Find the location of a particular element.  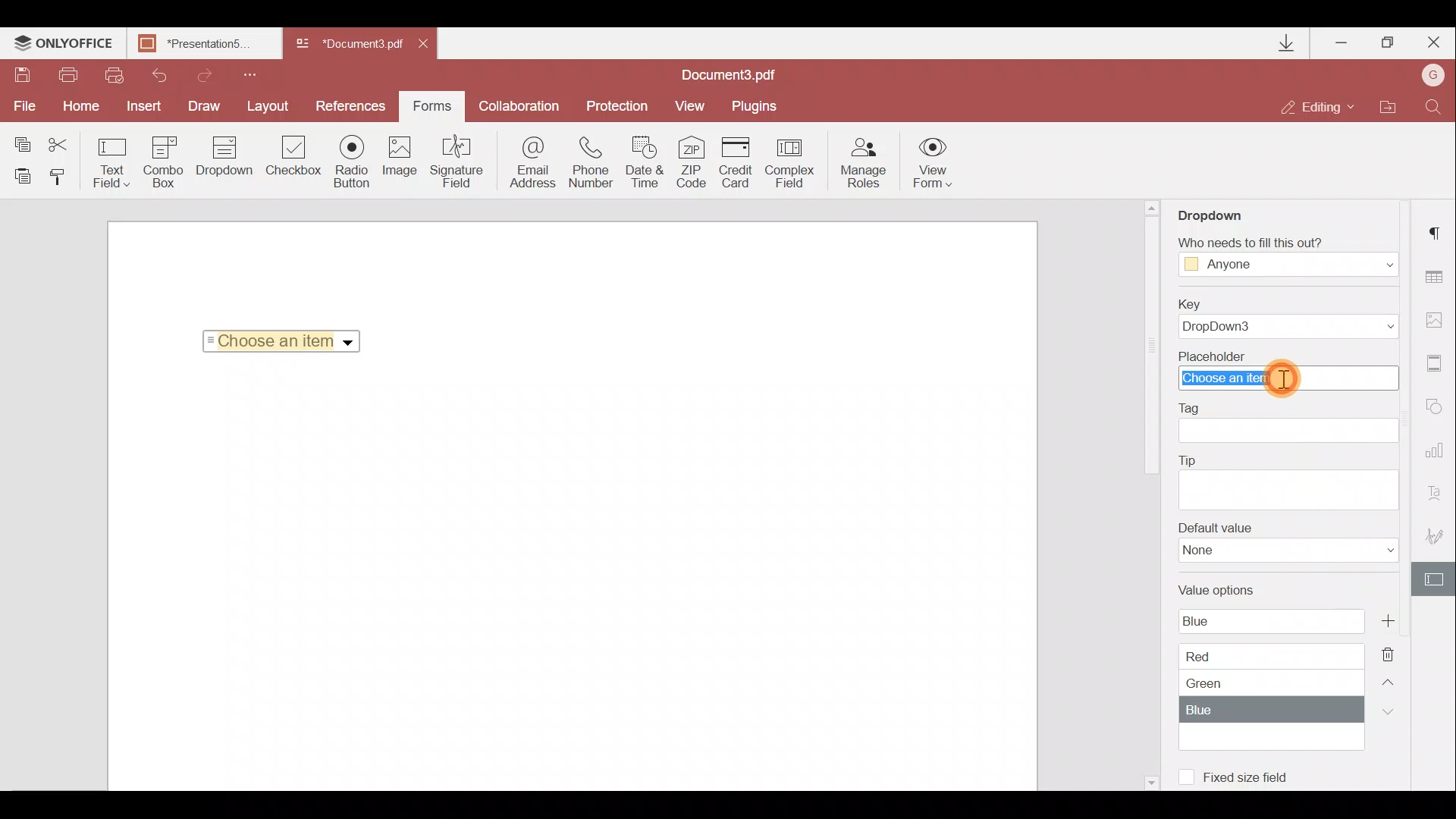

Open file location is located at coordinates (1389, 106).